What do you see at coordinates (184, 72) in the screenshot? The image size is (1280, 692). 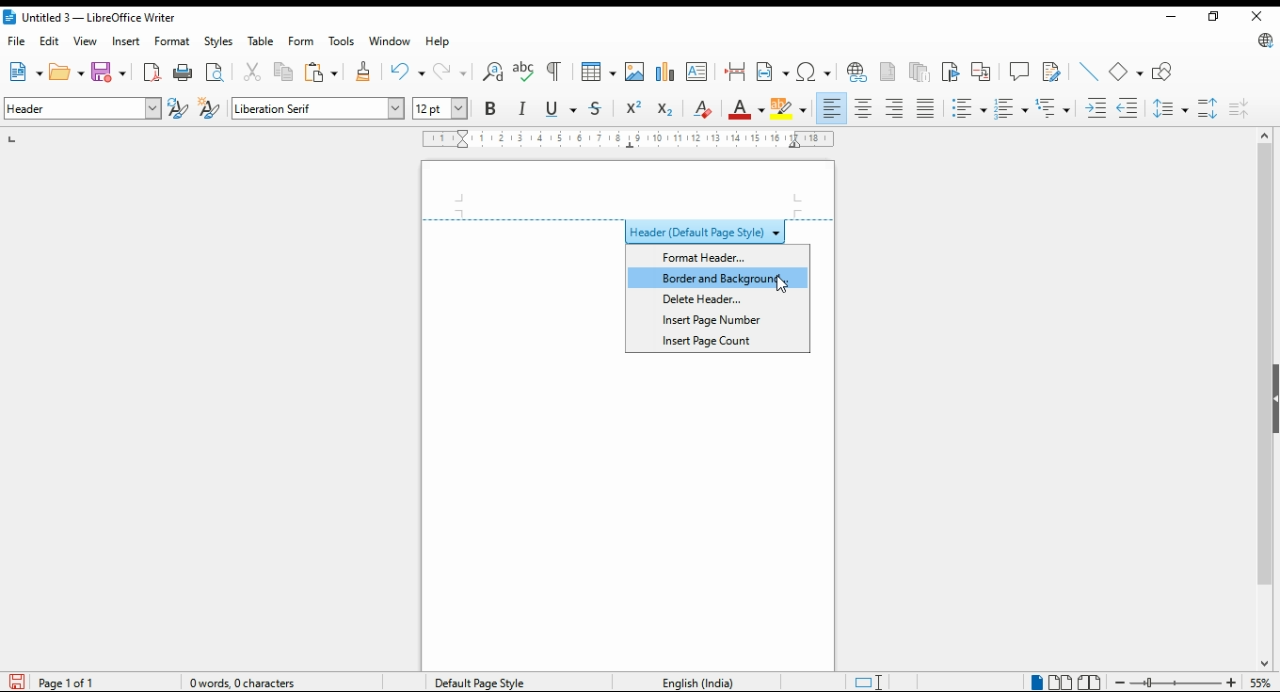 I see `print` at bounding box center [184, 72].